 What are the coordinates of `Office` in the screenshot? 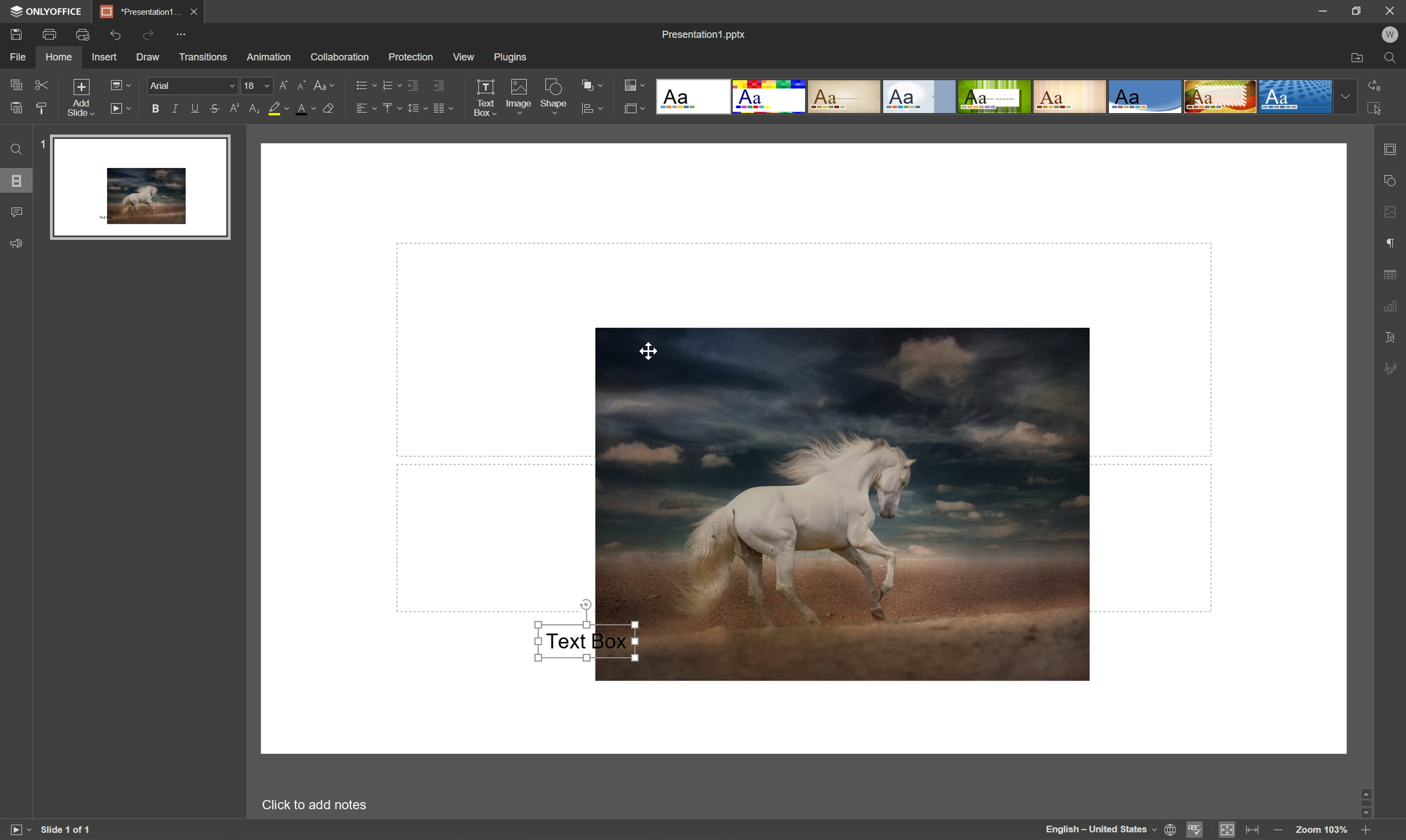 It's located at (1146, 96).